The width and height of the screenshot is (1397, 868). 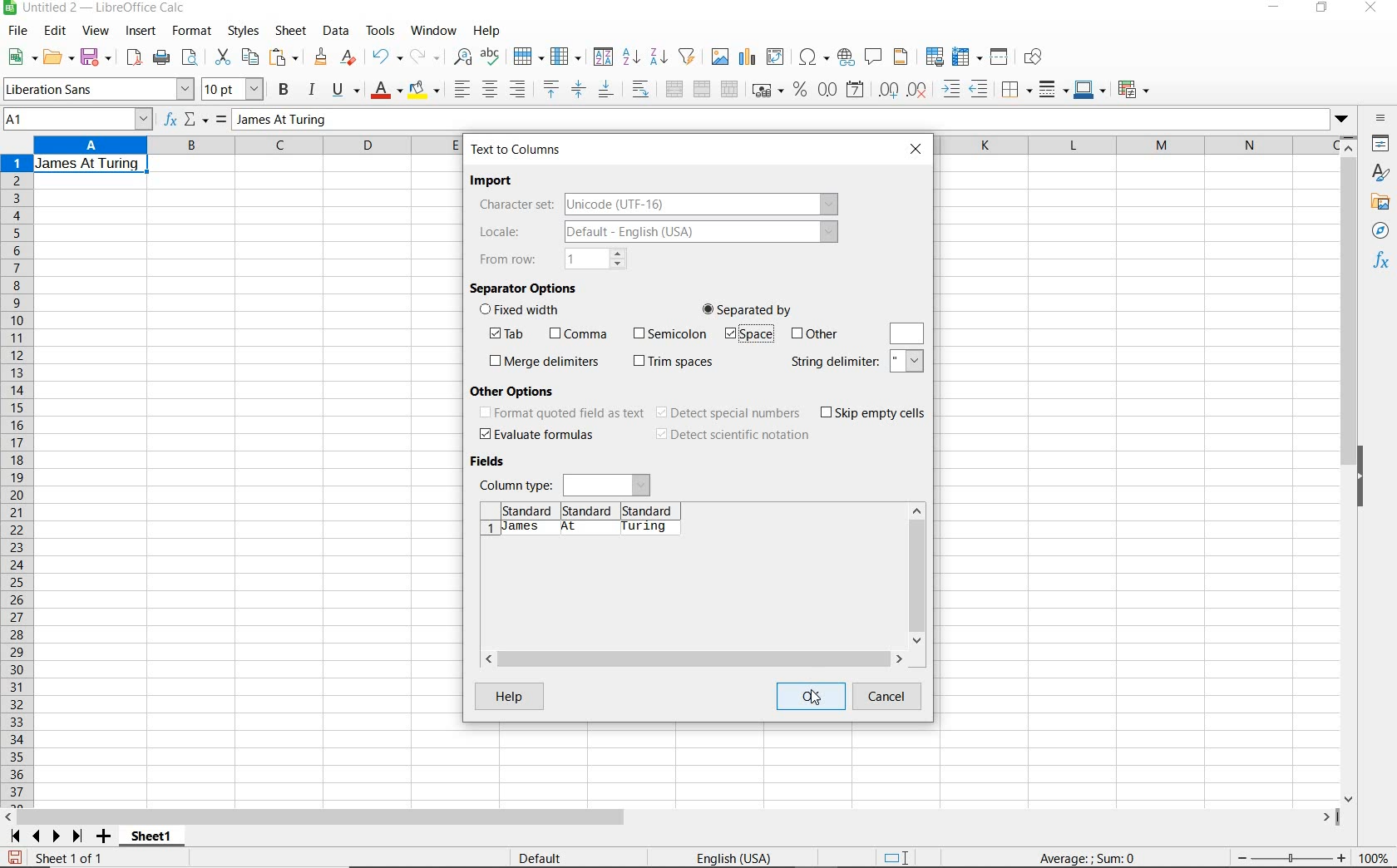 What do you see at coordinates (799, 91) in the screenshot?
I see `format as percent` at bounding box center [799, 91].